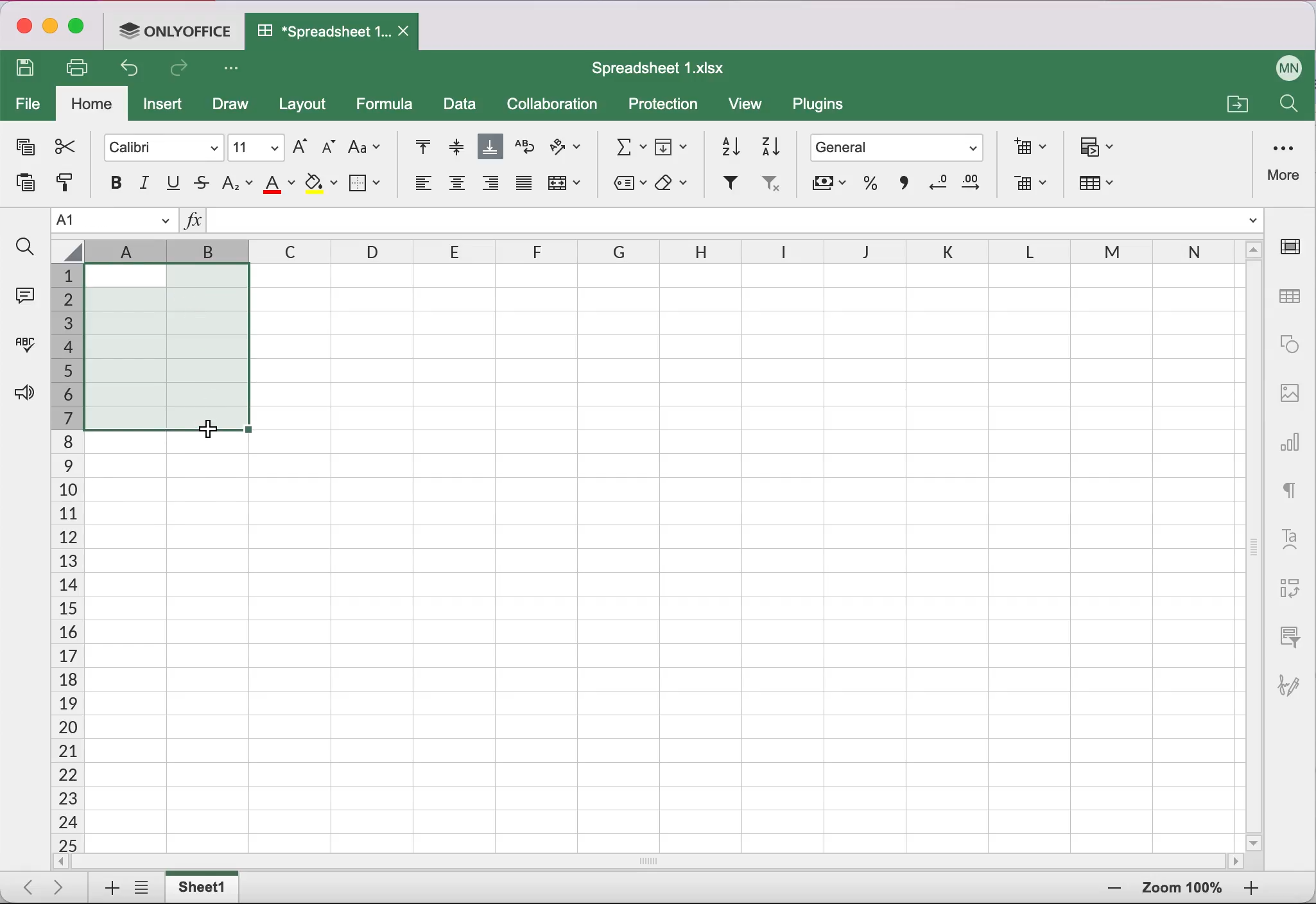 Image resolution: width=1316 pixels, height=904 pixels. What do you see at coordinates (664, 105) in the screenshot?
I see `protection` at bounding box center [664, 105].